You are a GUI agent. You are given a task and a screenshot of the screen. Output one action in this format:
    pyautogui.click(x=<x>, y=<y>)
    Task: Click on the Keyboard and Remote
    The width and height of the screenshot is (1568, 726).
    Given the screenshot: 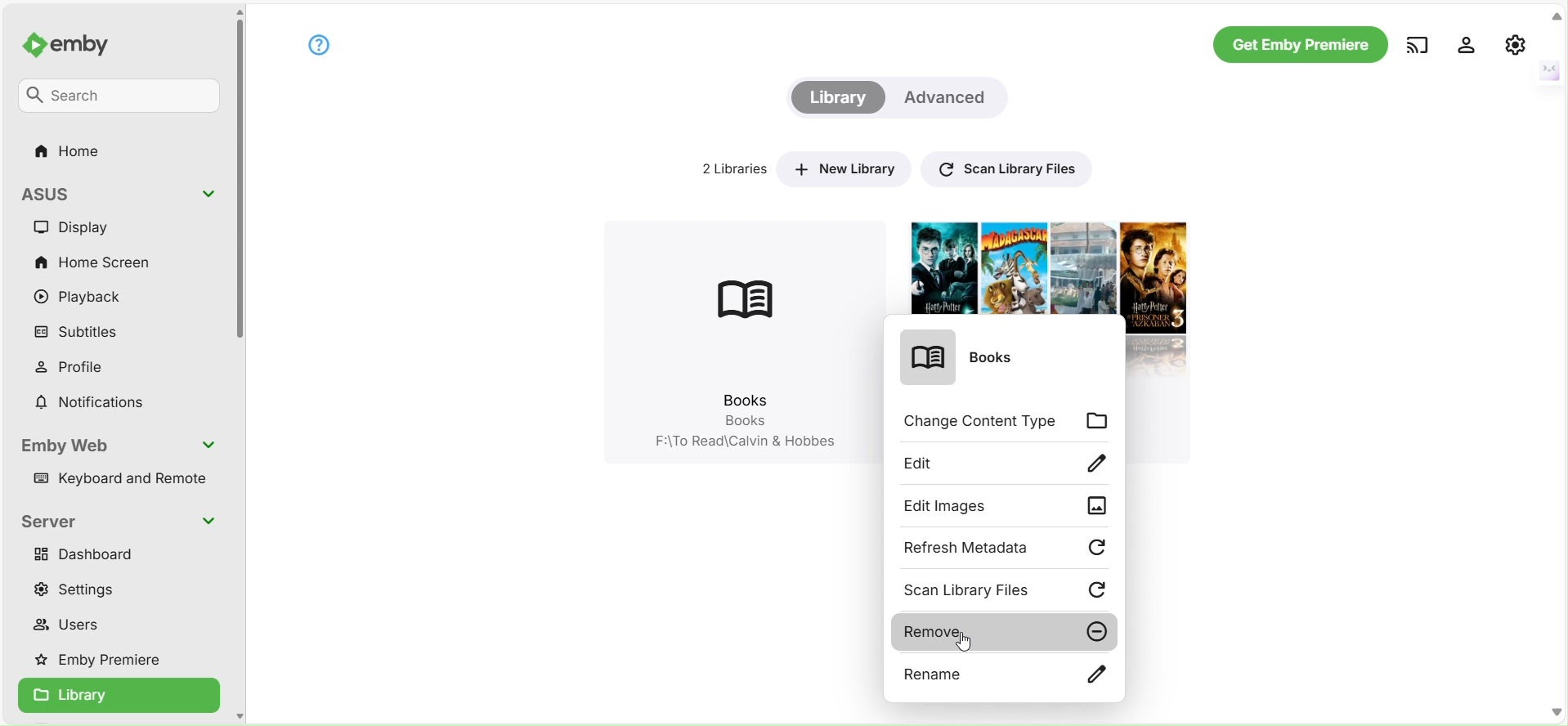 What is the action you would take?
    pyautogui.click(x=124, y=482)
    